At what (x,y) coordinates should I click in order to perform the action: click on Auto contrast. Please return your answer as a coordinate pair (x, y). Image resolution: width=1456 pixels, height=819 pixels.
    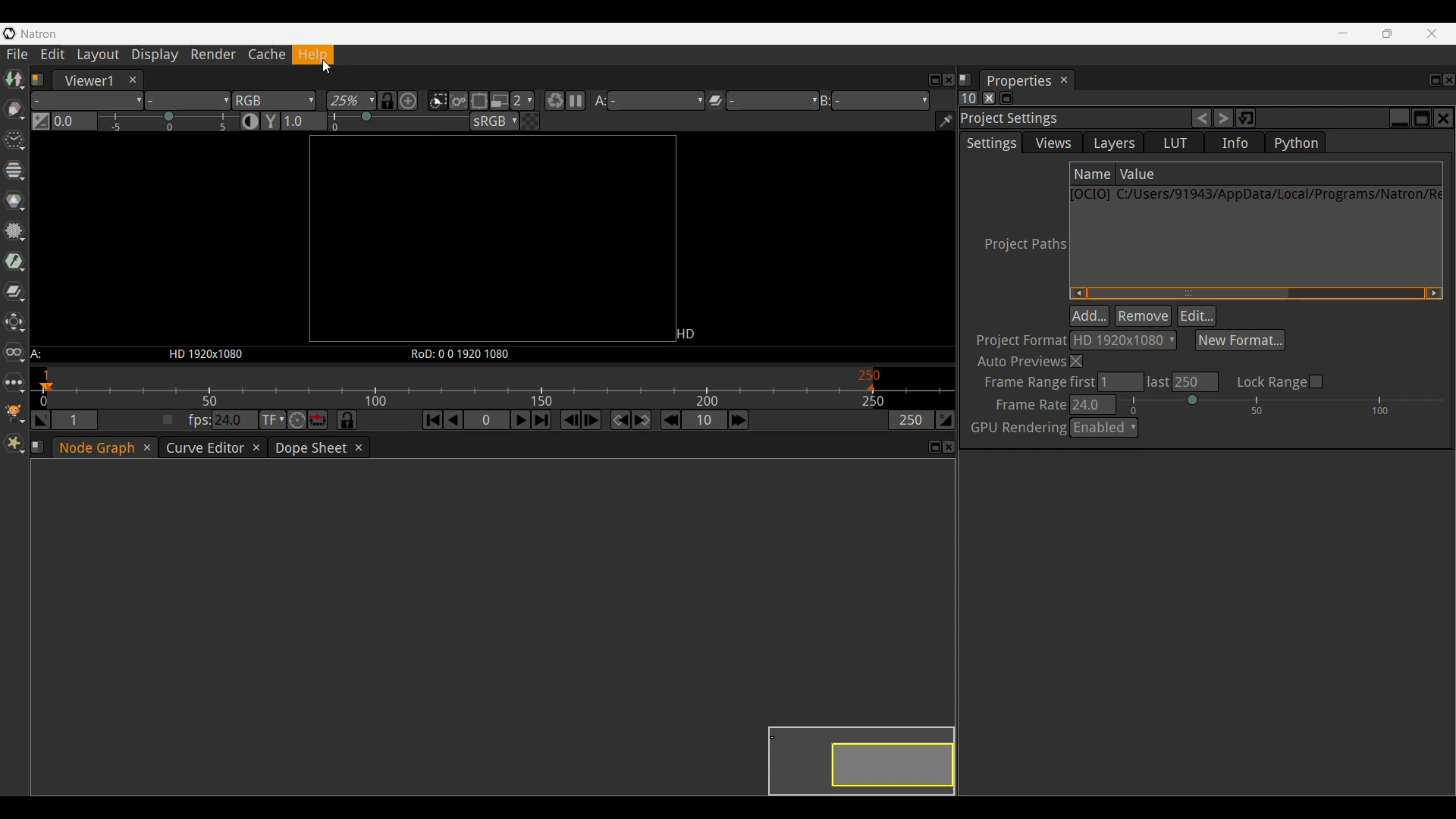
    Looking at the image, I should click on (249, 121).